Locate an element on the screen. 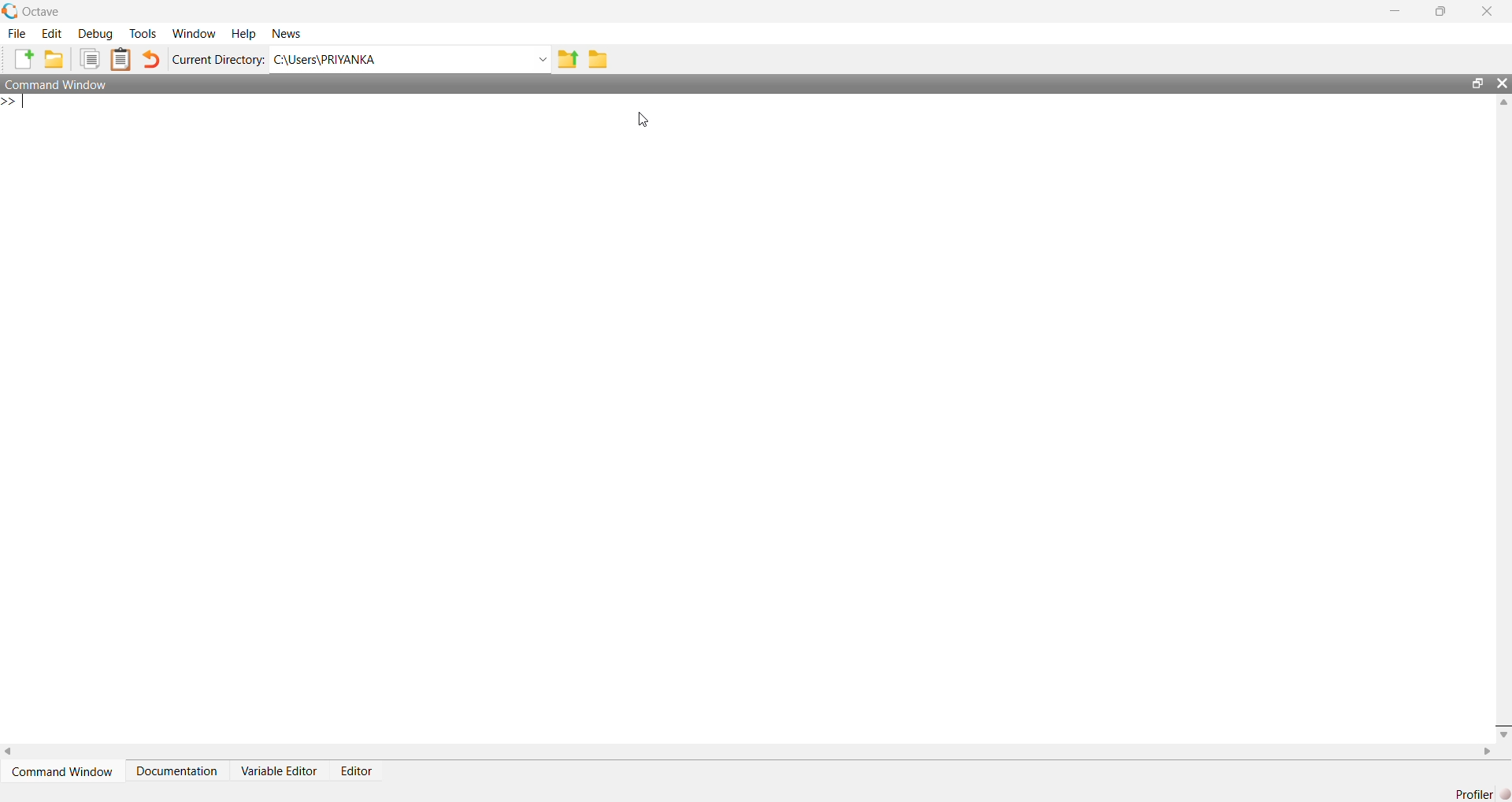 This screenshot has height=802, width=1512. minimize is located at coordinates (1395, 11).